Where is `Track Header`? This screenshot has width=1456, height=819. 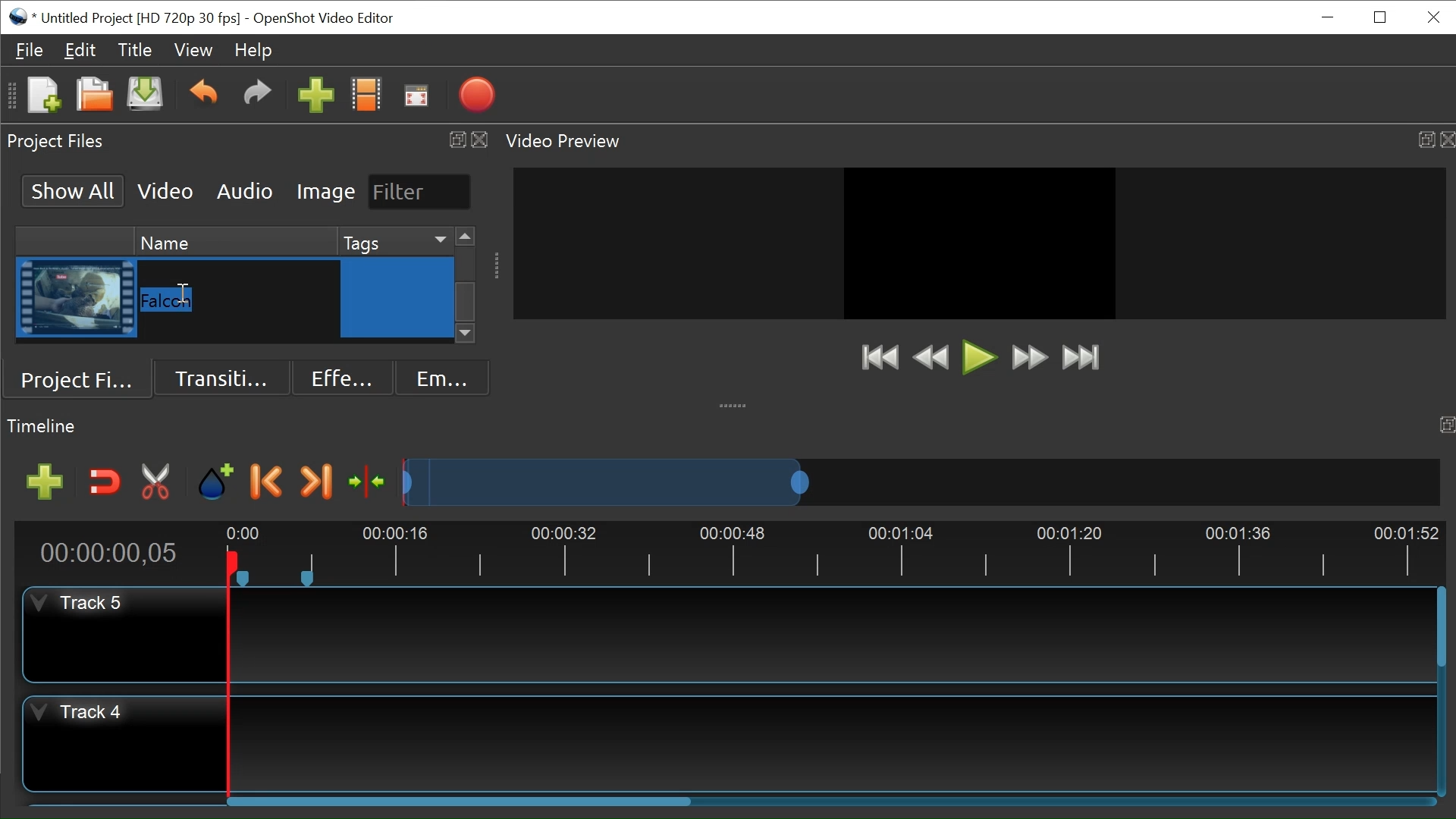 Track Header is located at coordinates (83, 604).